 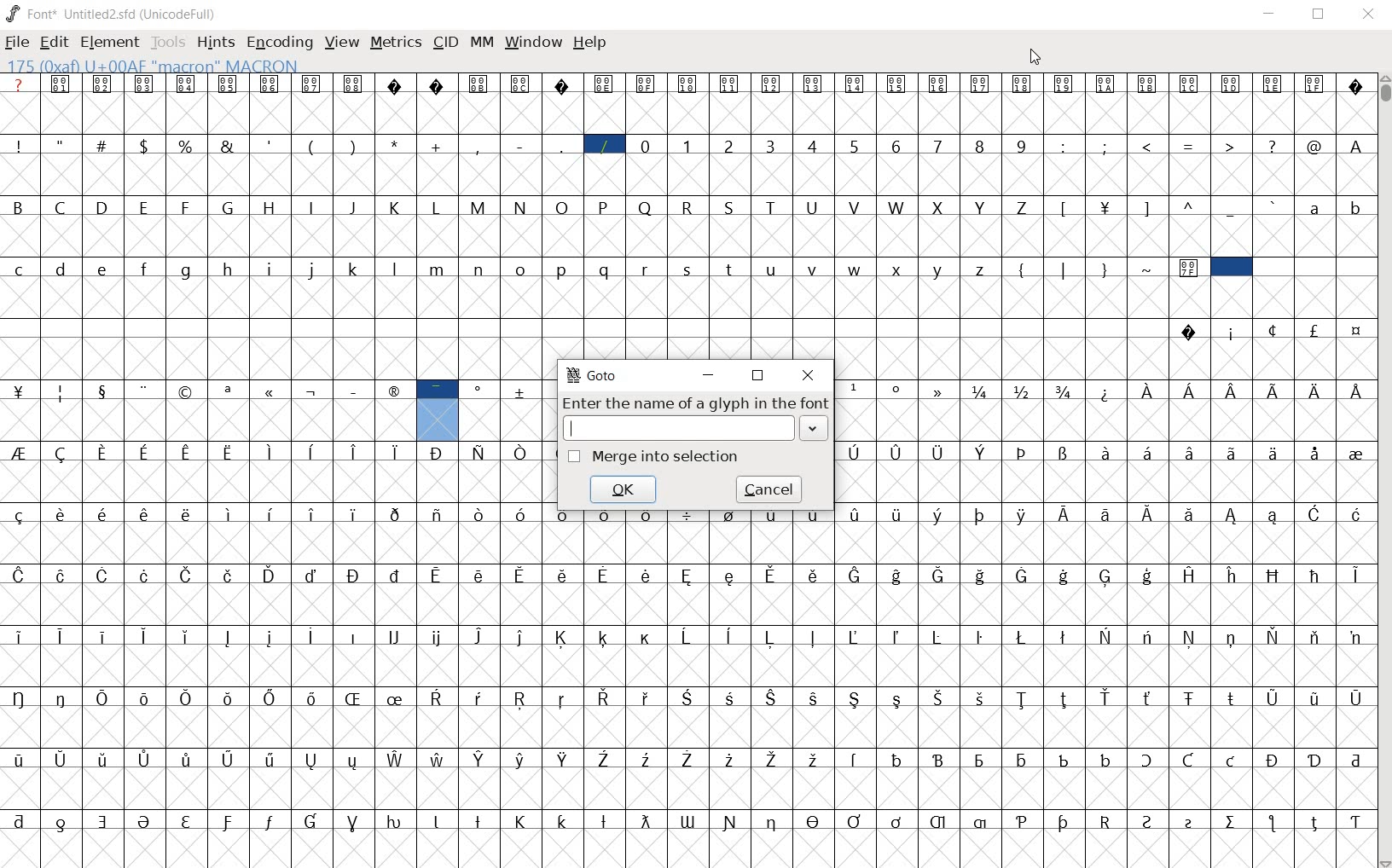 I want to click on restore, so click(x=758, y=379).